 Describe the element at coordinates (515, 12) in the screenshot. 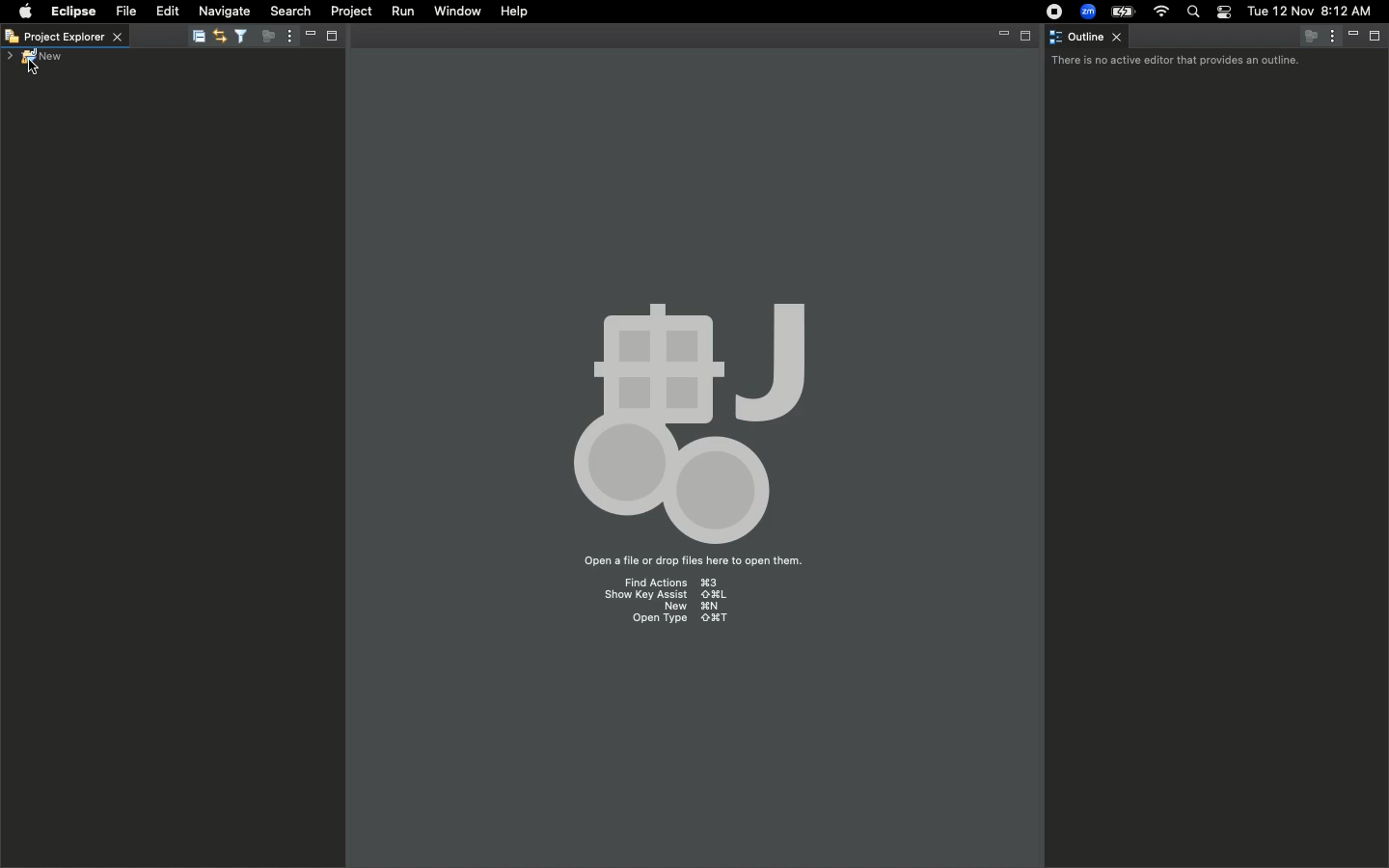

I see `Help` at that location.